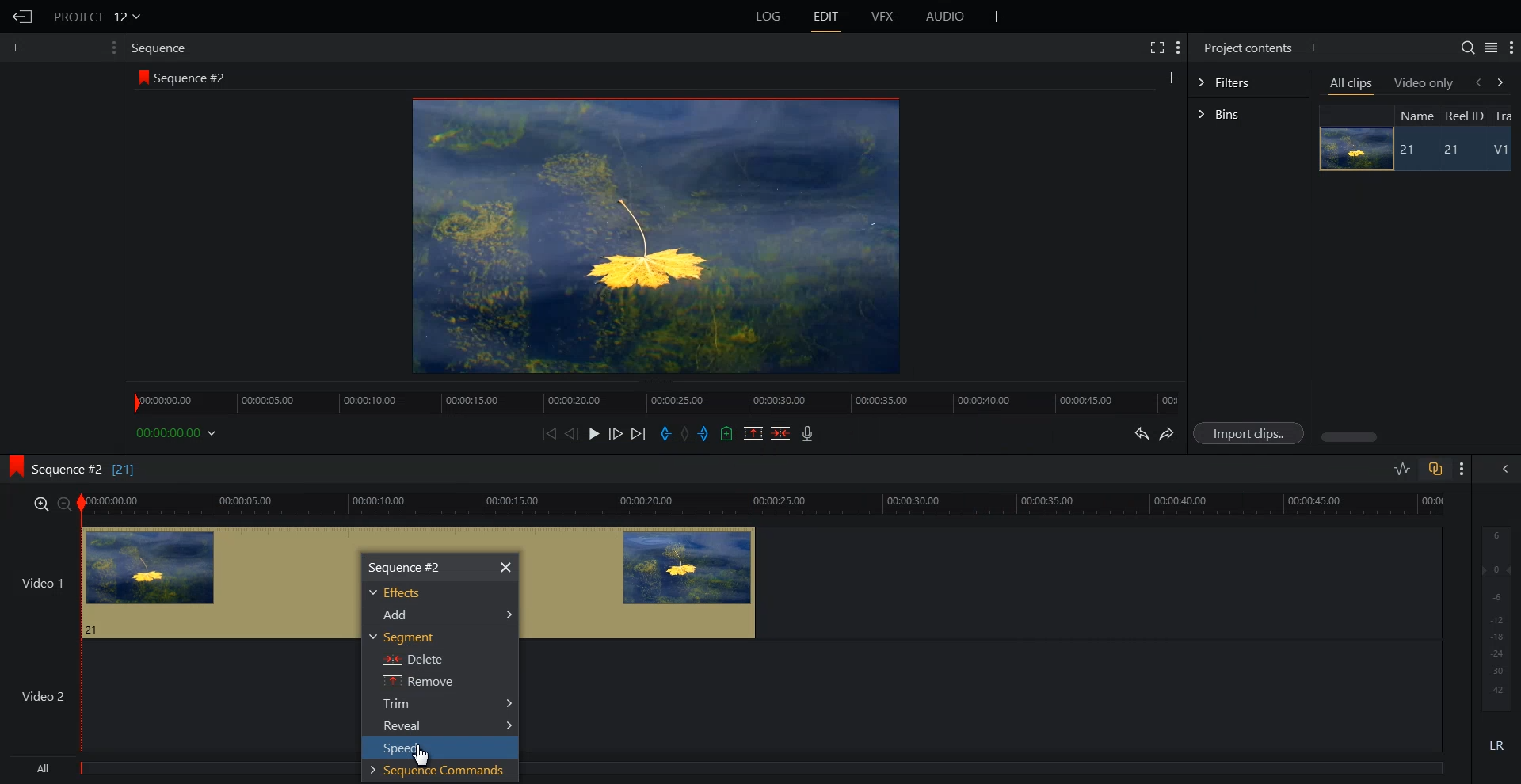  I want to click on forward, so click(1504, 82).